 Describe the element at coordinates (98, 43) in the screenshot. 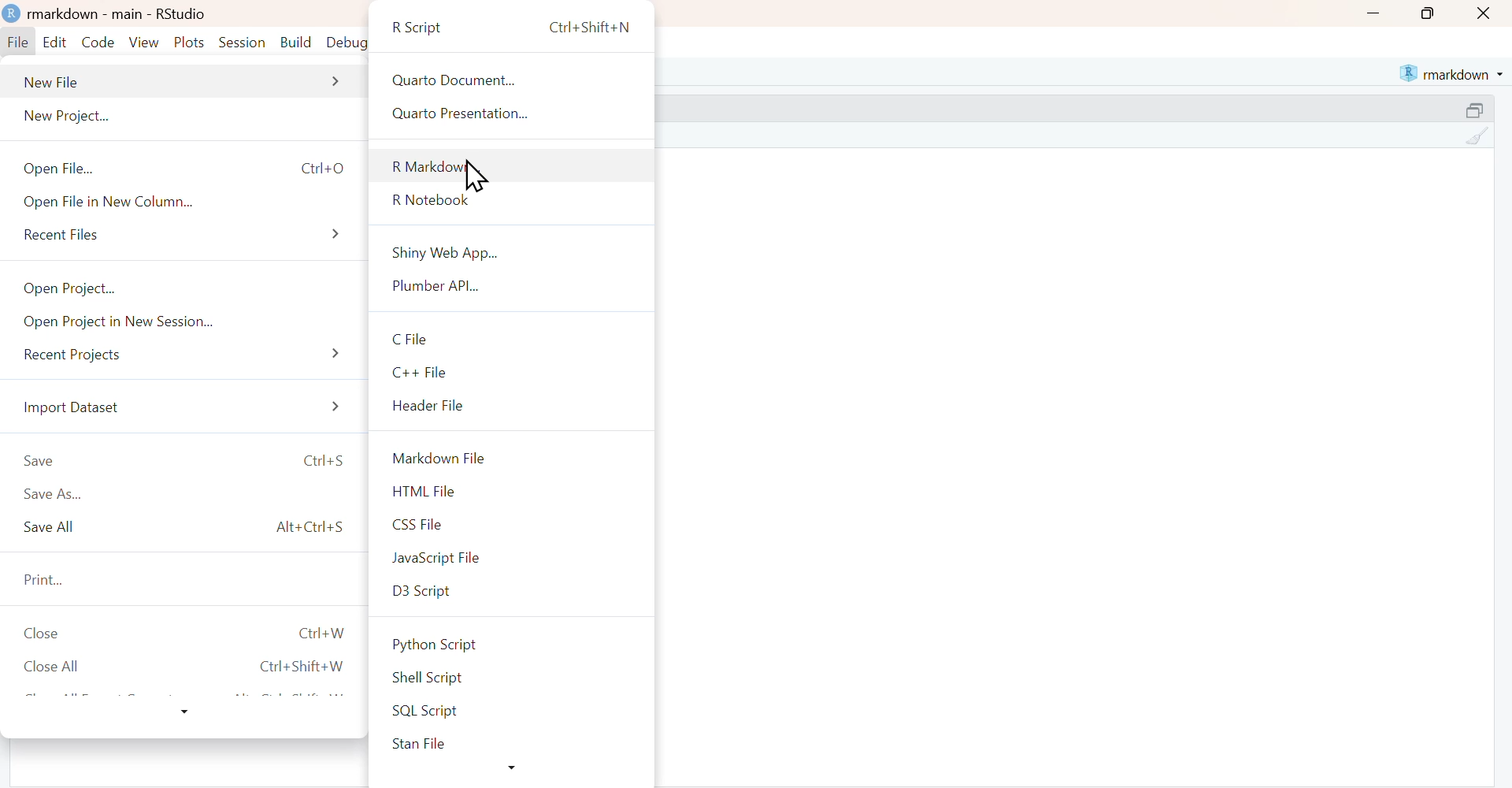

I see `Code` at that location.